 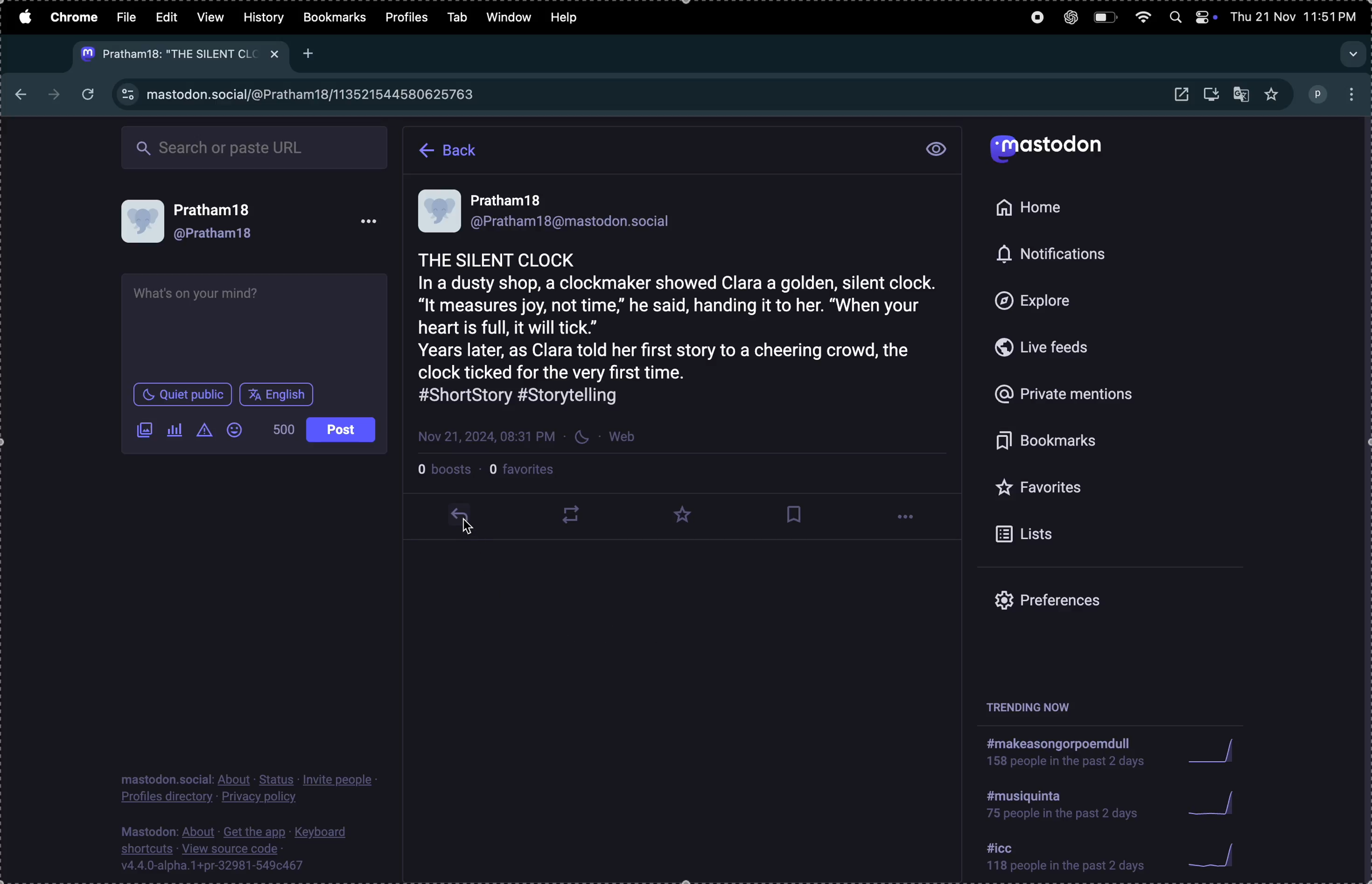 I want to click on record, so click(x=1039, y=19).